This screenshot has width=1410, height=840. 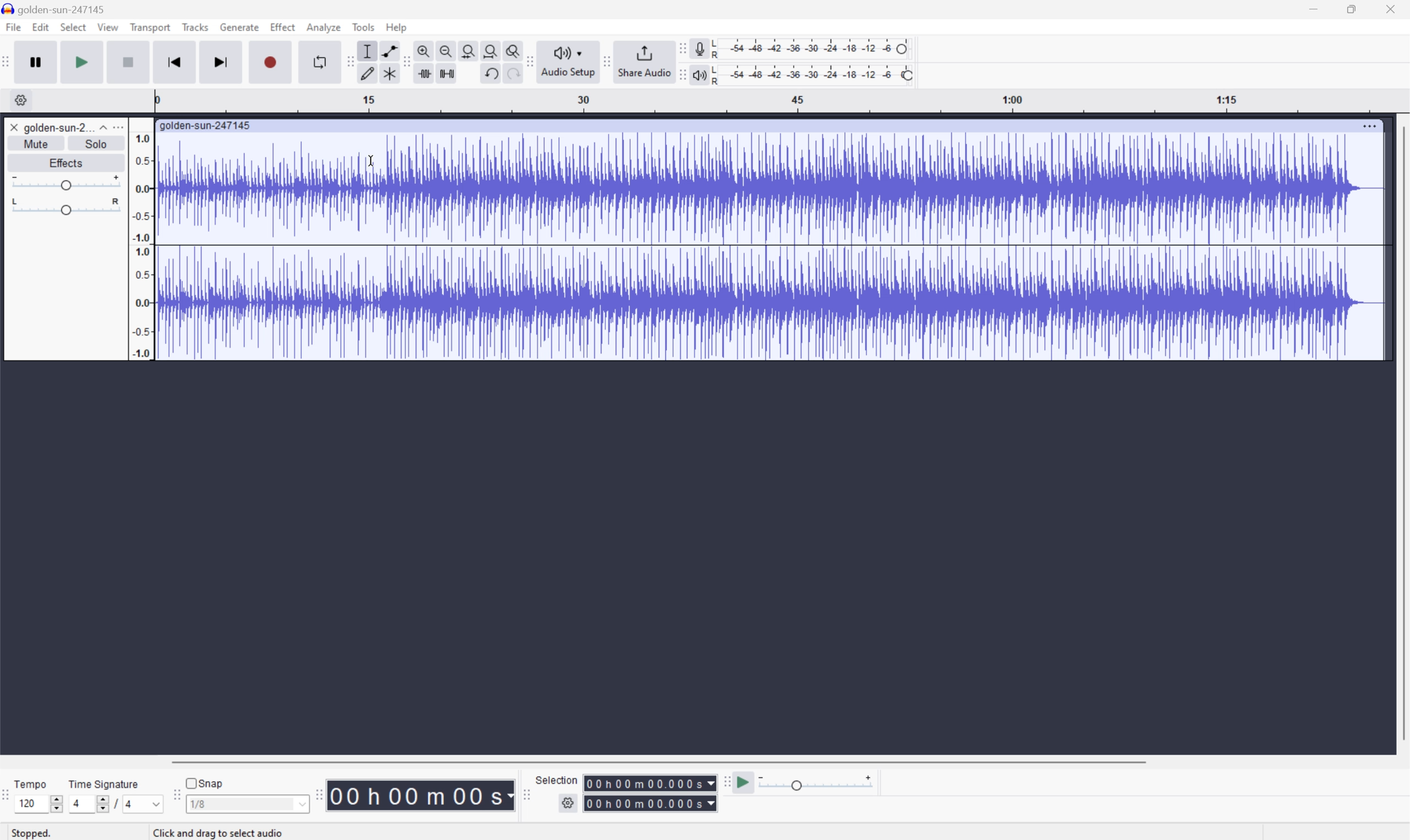 I want to click on Minimize, so click(x=1312, y=8).